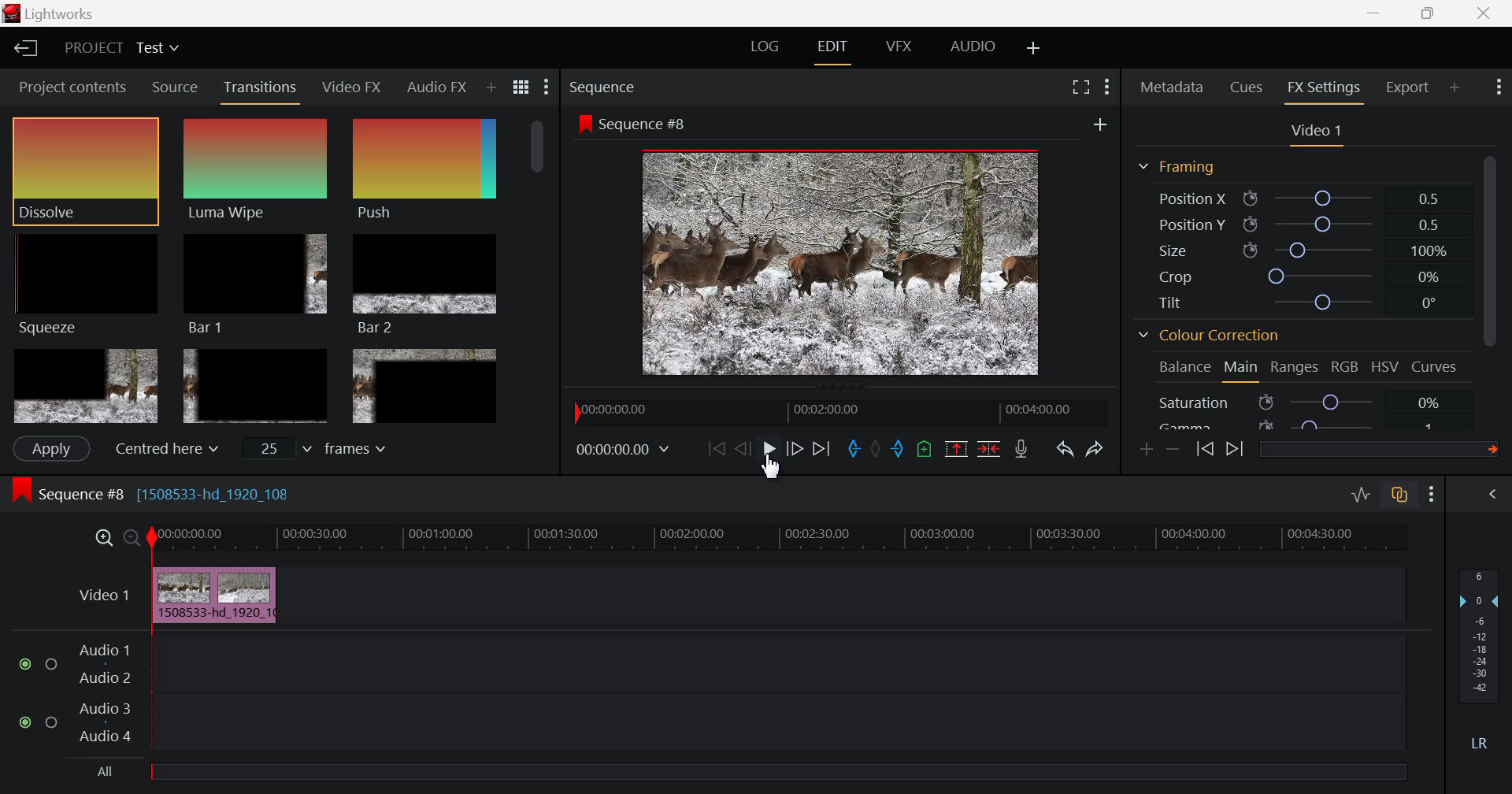 This screenshot has height=794, width=1512. What do you see at coordinates (156, 492) in the screenshot?
I see `Sequence #8 [1508533-hd_1920_108` at bounding box center [156, 492].